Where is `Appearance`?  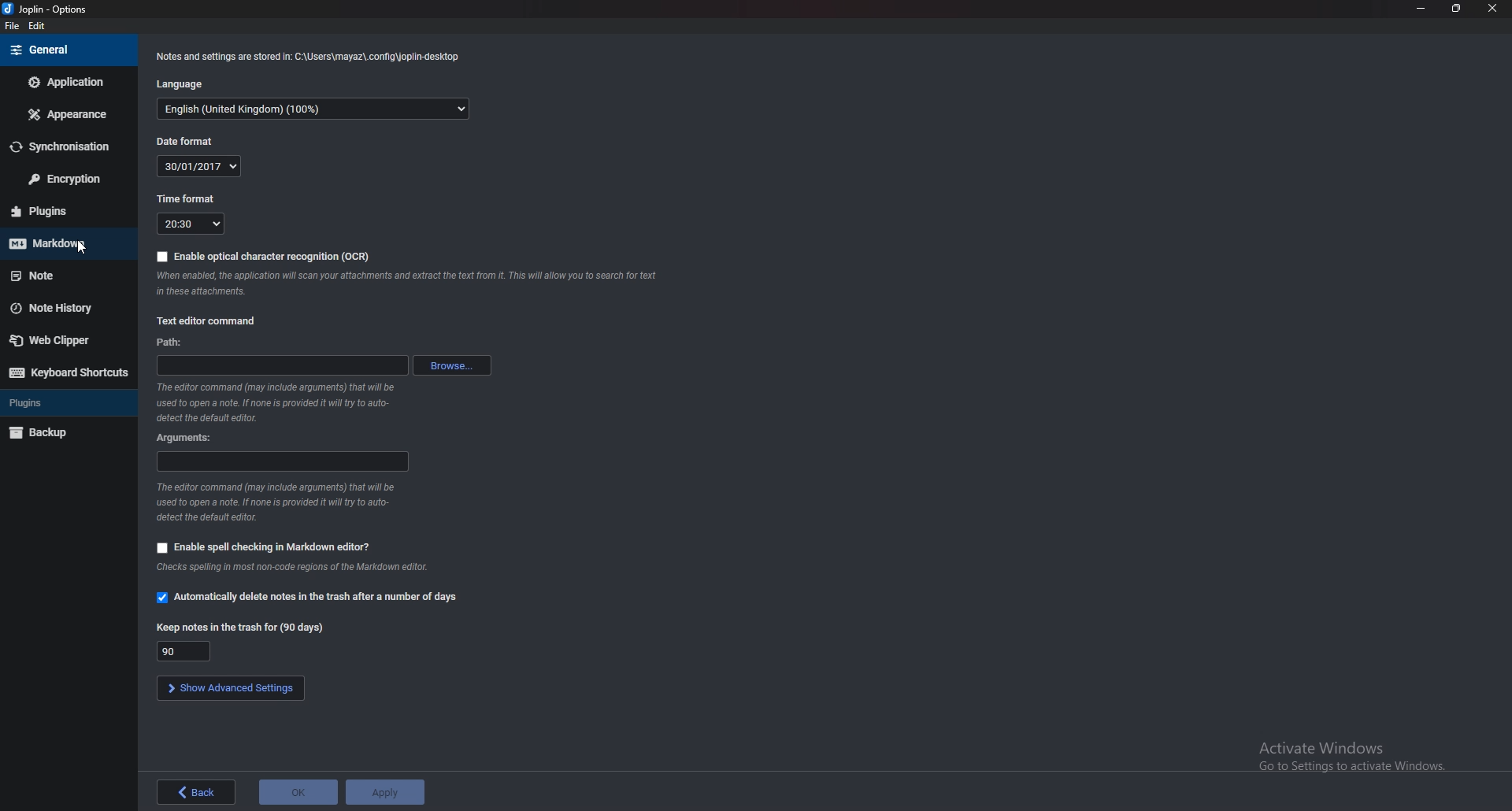
Appearance is located at coordinates (64, 114).